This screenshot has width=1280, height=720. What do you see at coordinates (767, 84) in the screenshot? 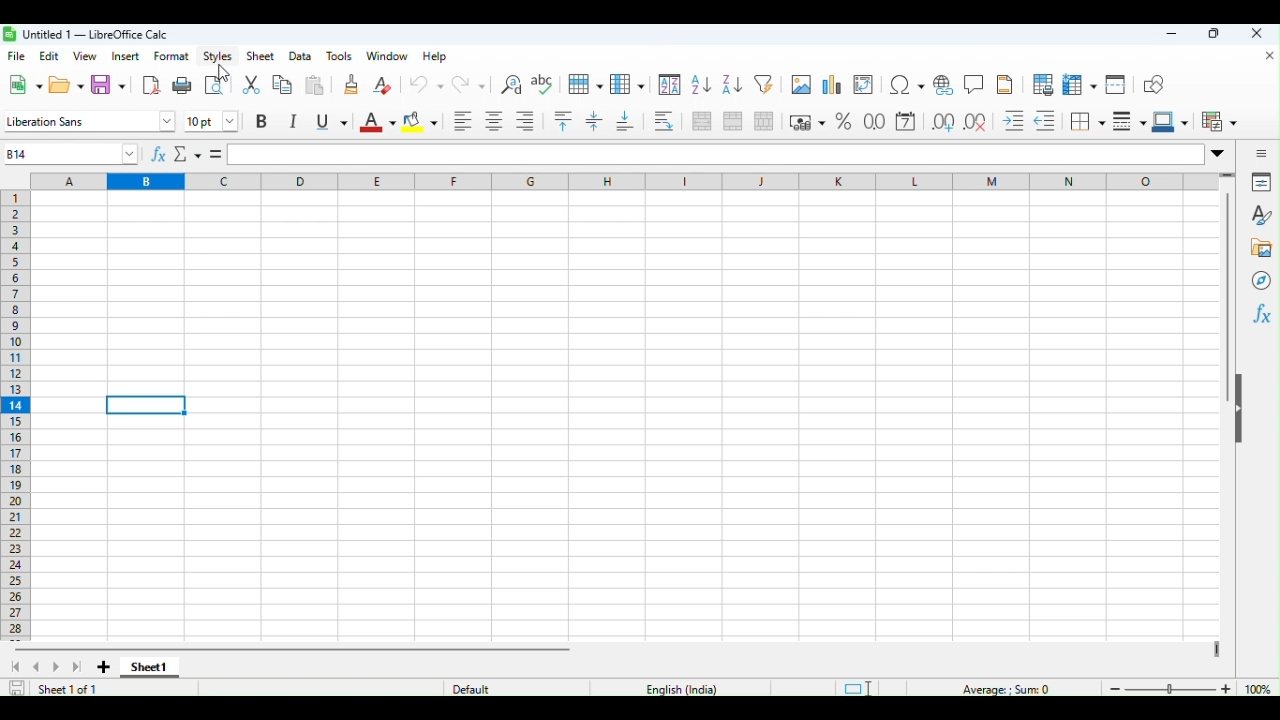
I see `Filter` at bounding box center [767, 84].